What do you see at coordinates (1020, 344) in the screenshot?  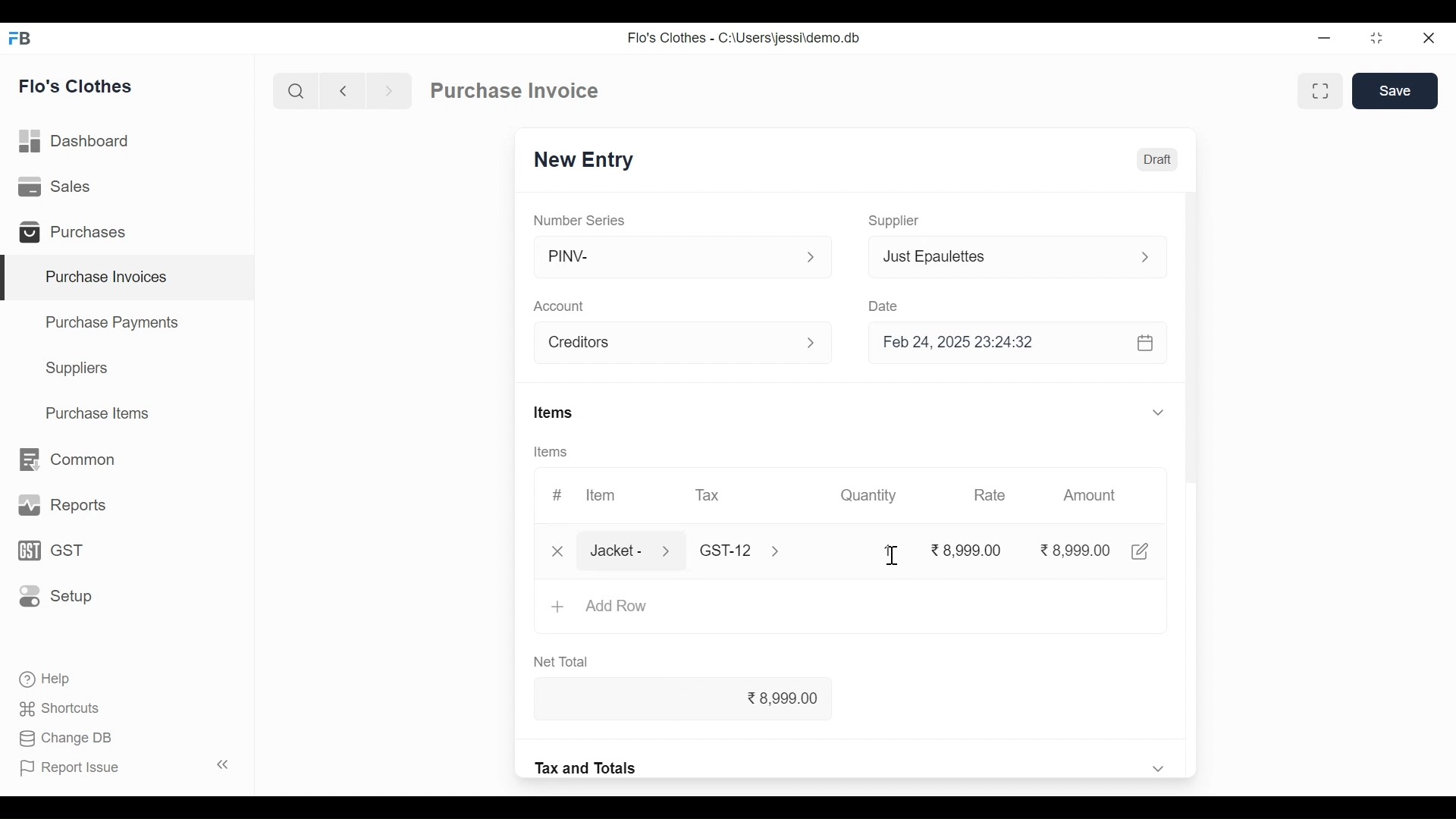 I see `Feb 24, 2025 23:24:32` at bounding box center [1020, 344].